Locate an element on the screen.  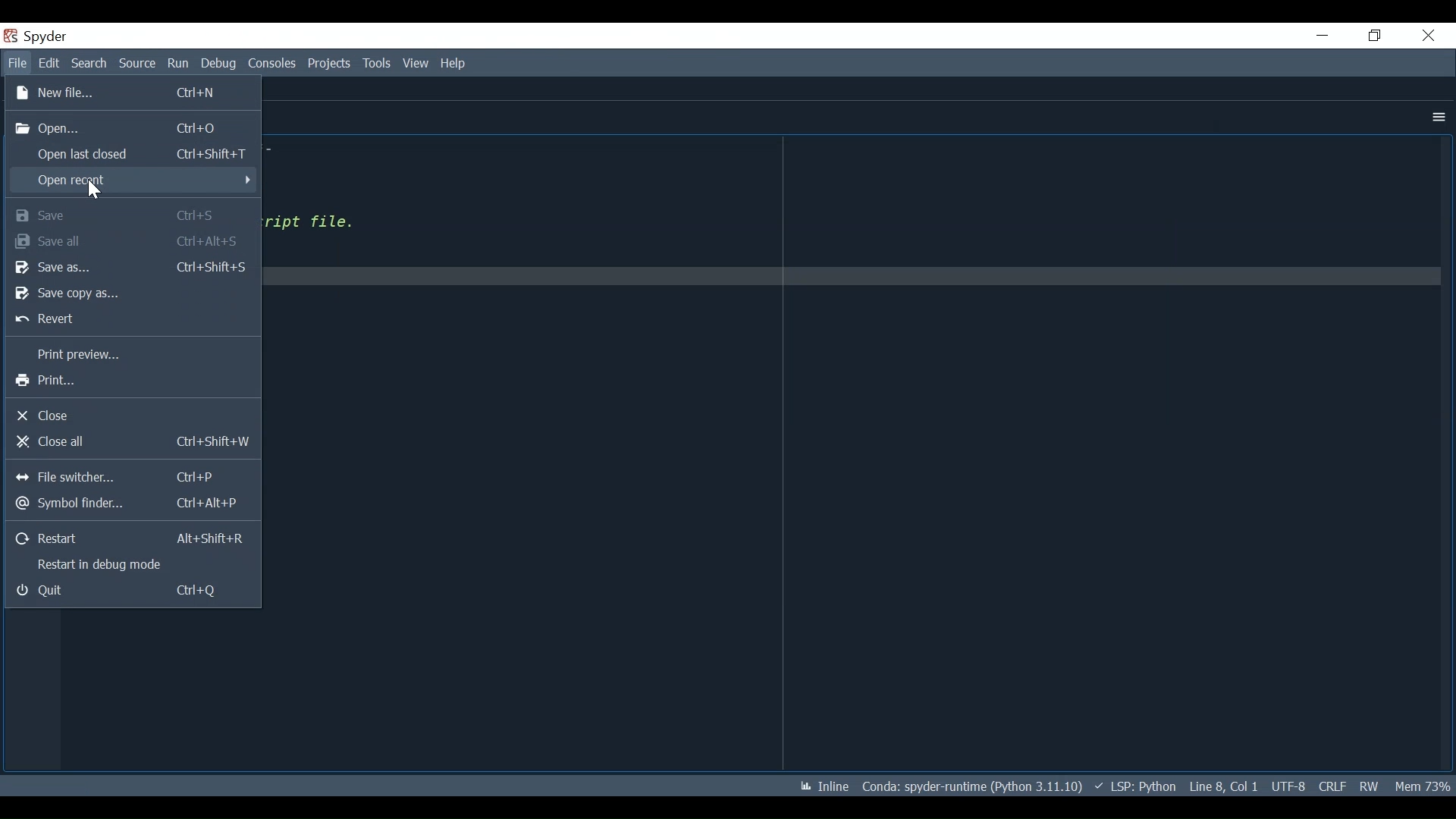
Save all is located at coordinates (133, 240).